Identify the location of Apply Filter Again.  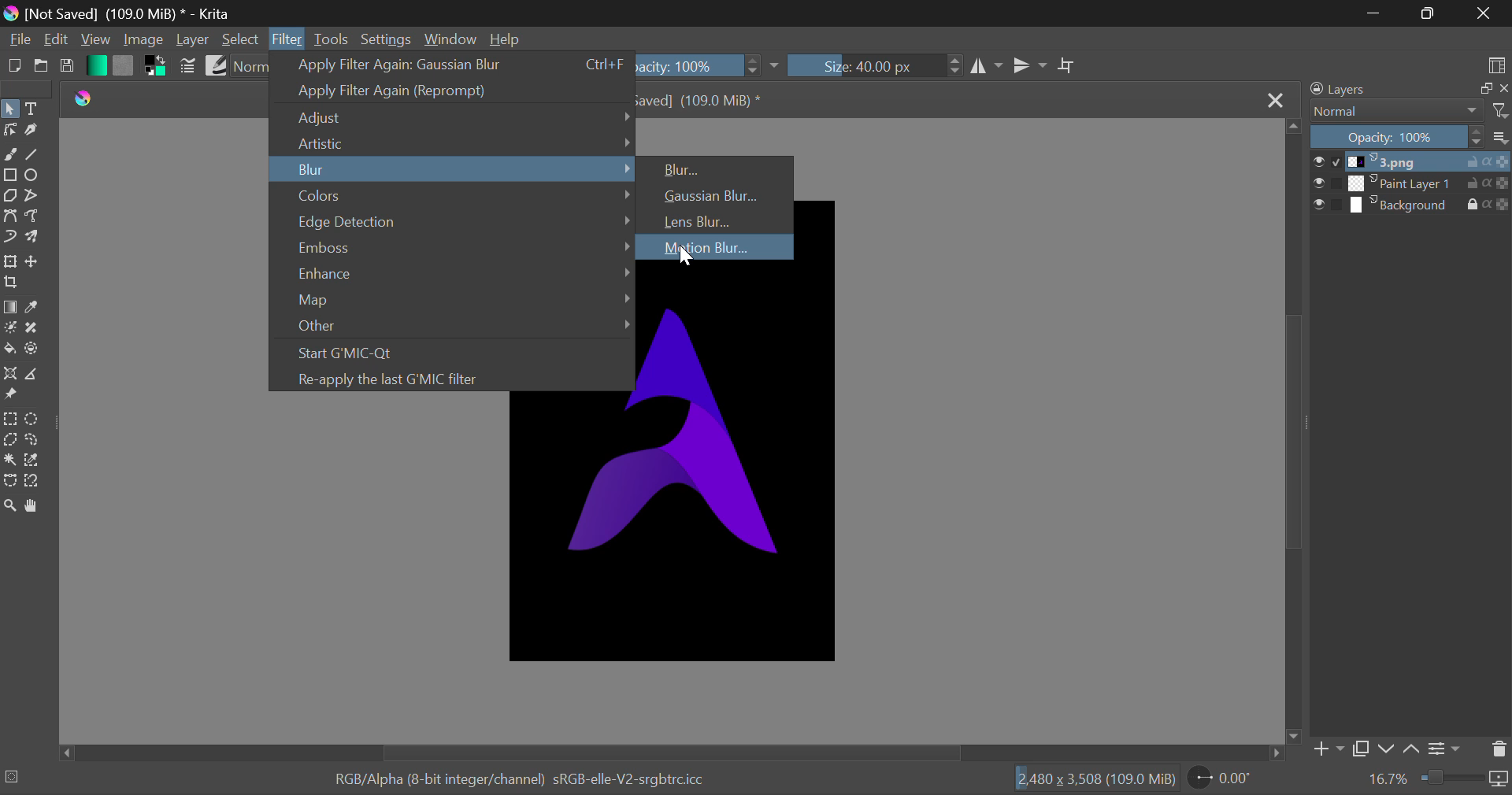
(414, 65).